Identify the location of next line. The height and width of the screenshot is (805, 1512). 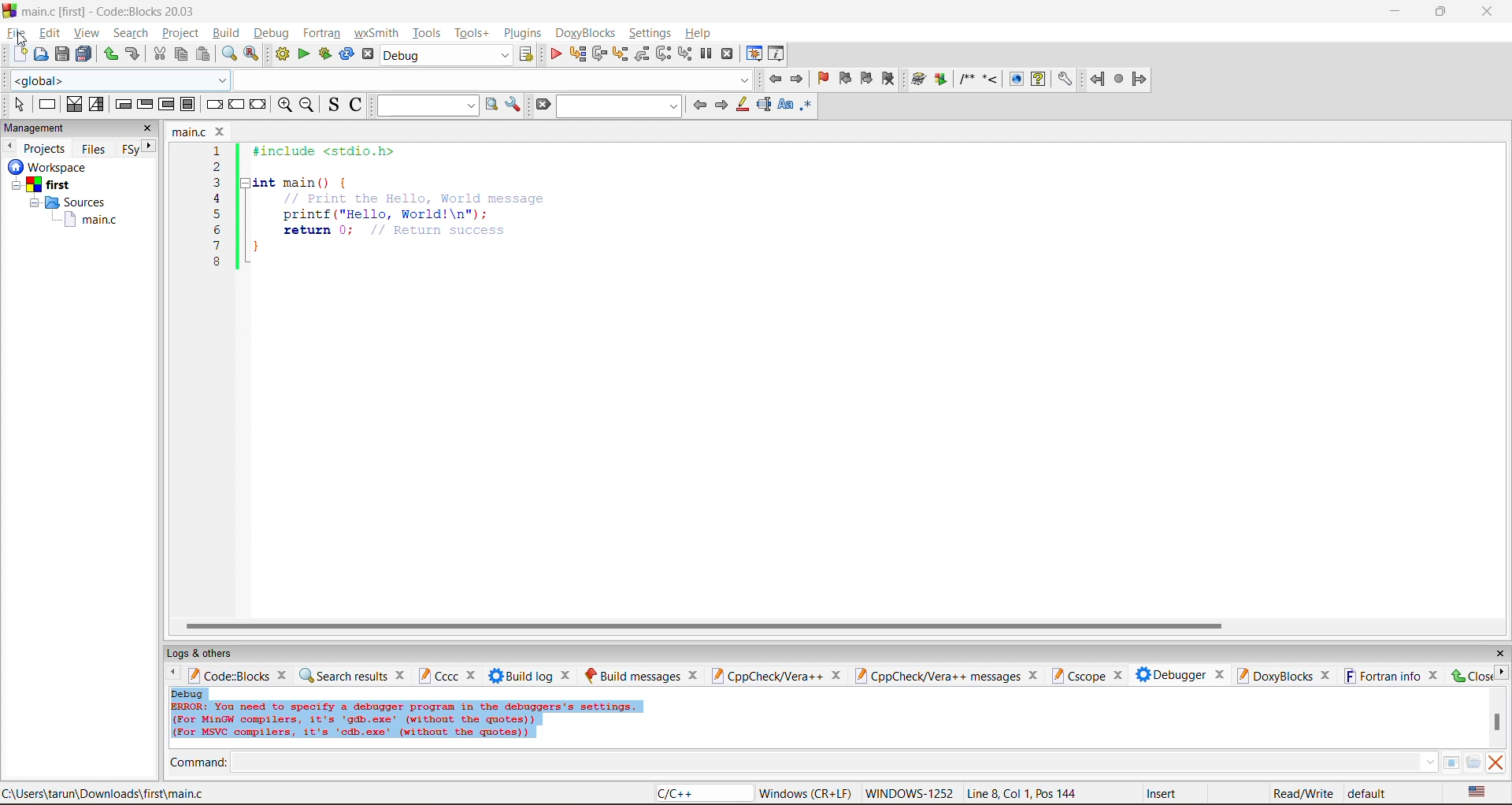
(598, 54).